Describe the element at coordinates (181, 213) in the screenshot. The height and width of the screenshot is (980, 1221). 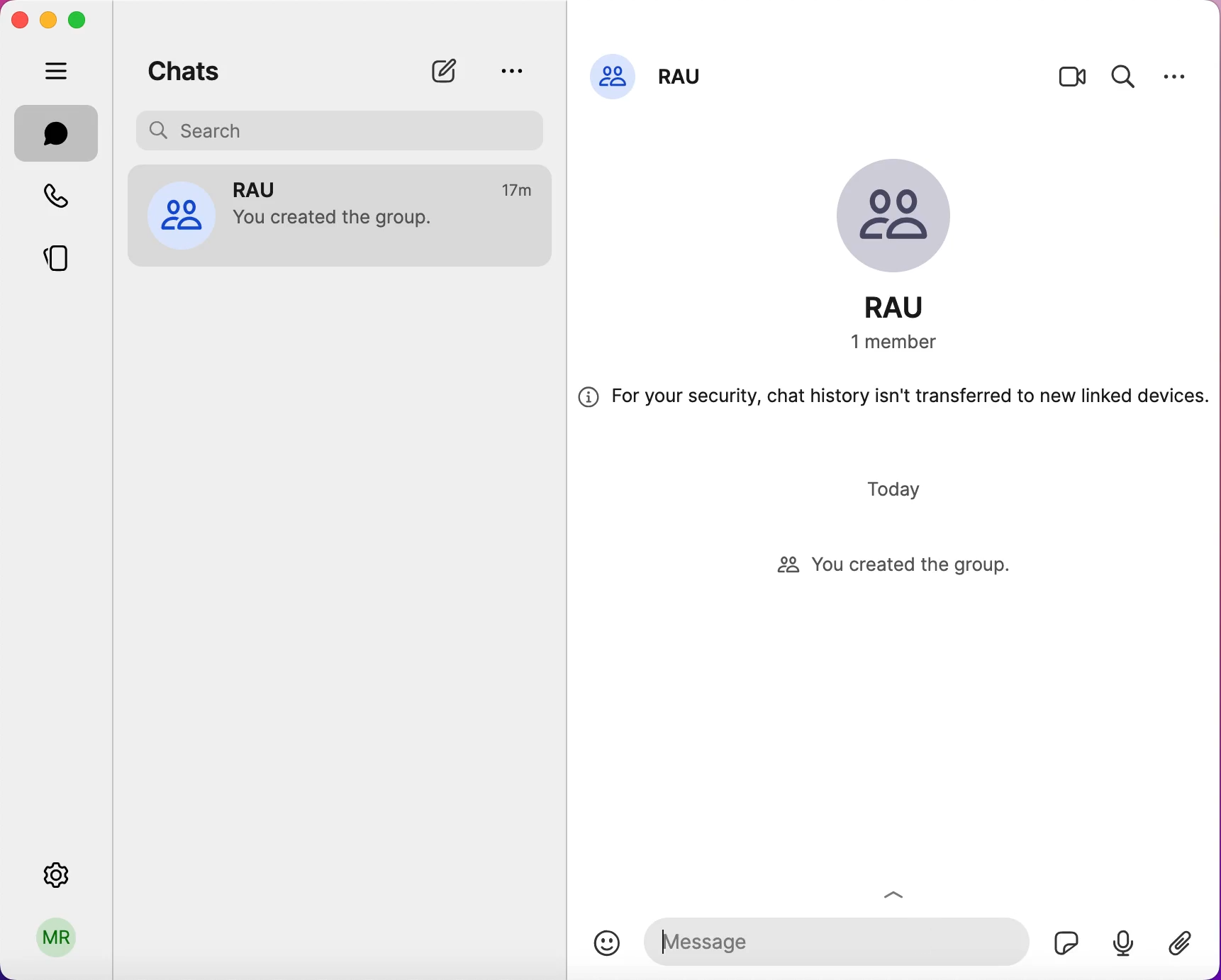
I see `profile picture` at that location.